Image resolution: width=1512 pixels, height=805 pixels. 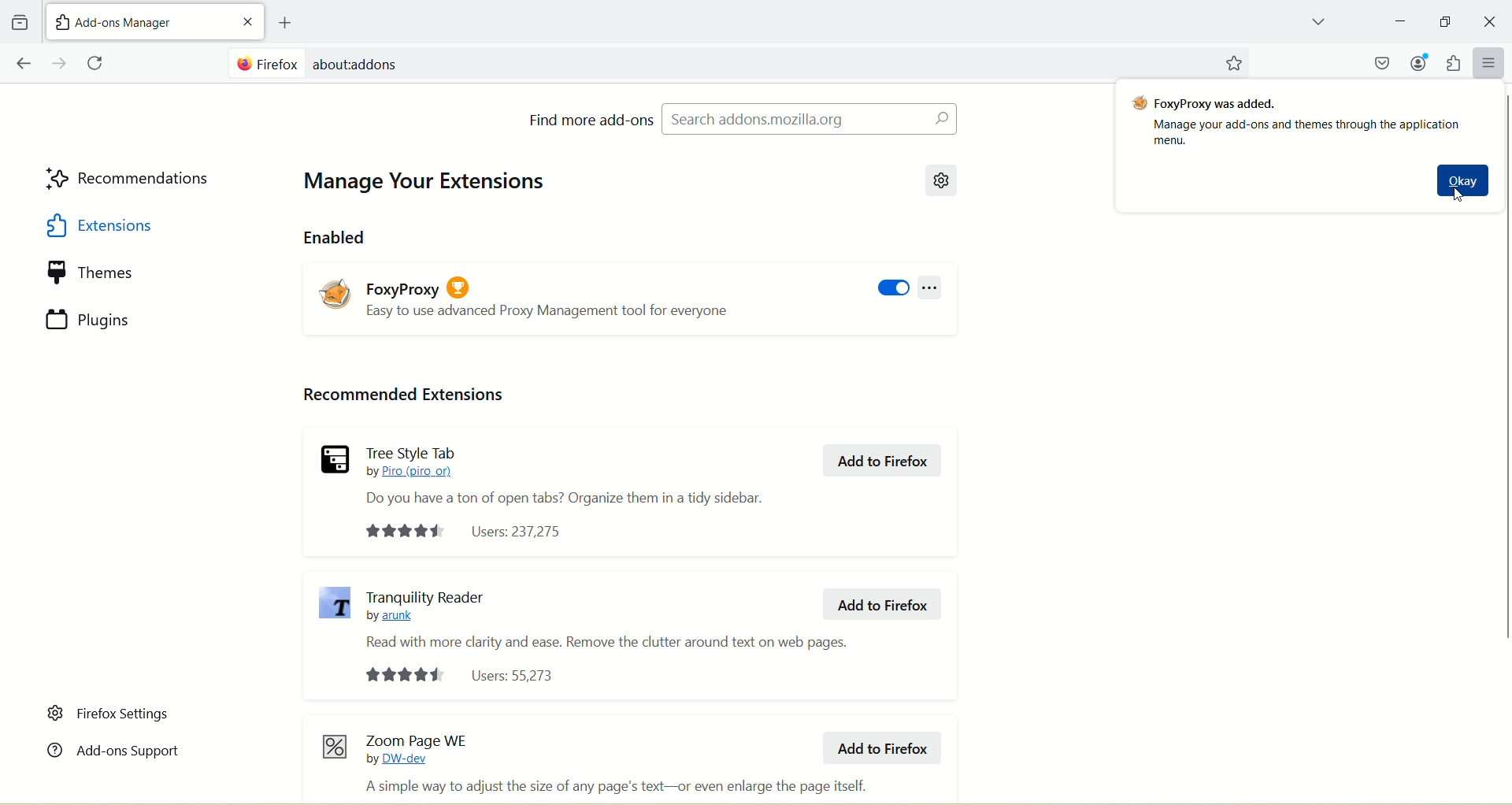 I want to click on Plugins, so click(x=133, y=319).